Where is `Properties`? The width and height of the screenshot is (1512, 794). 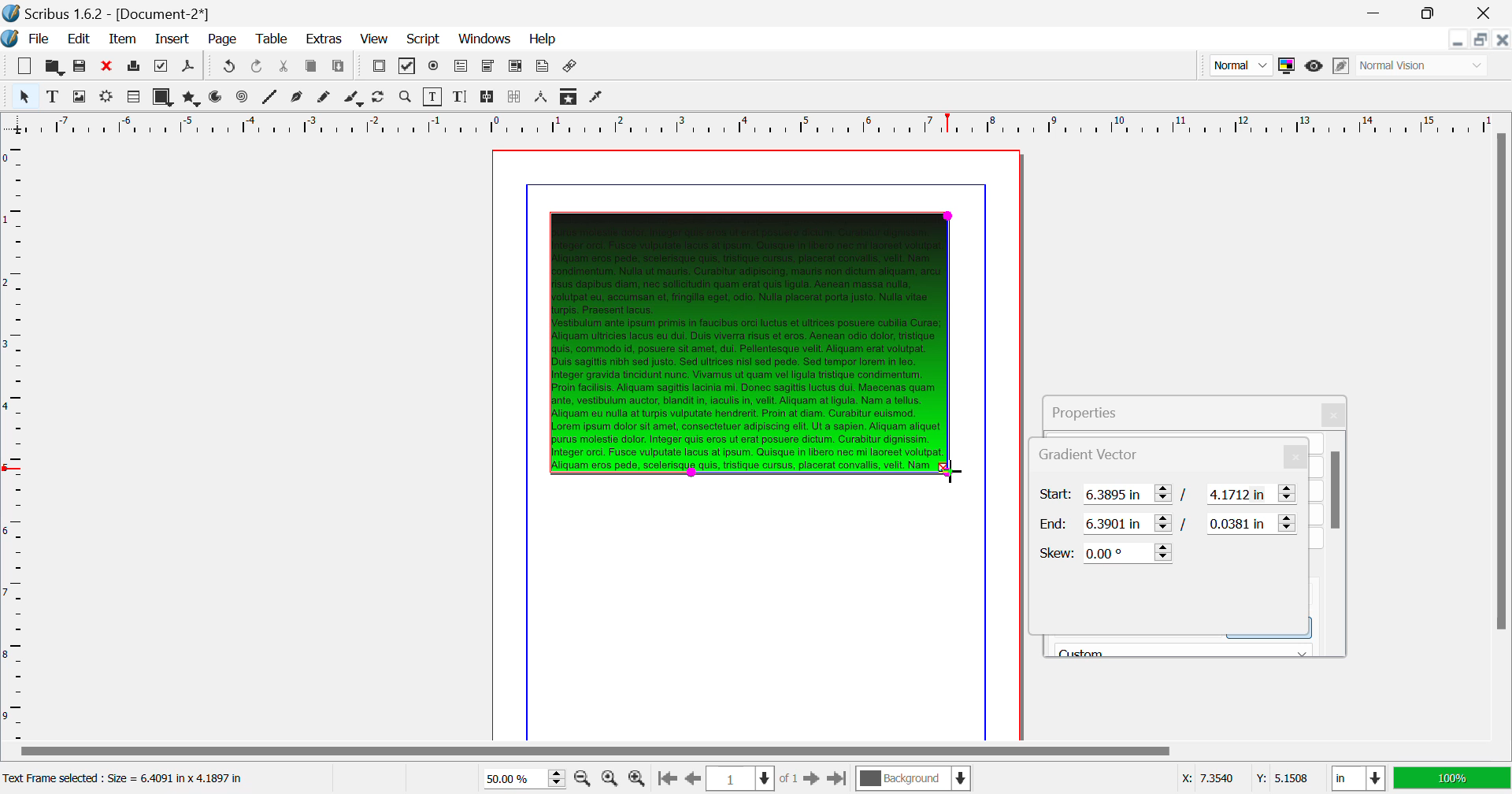
Properties is located at coordinates (1102, 410).